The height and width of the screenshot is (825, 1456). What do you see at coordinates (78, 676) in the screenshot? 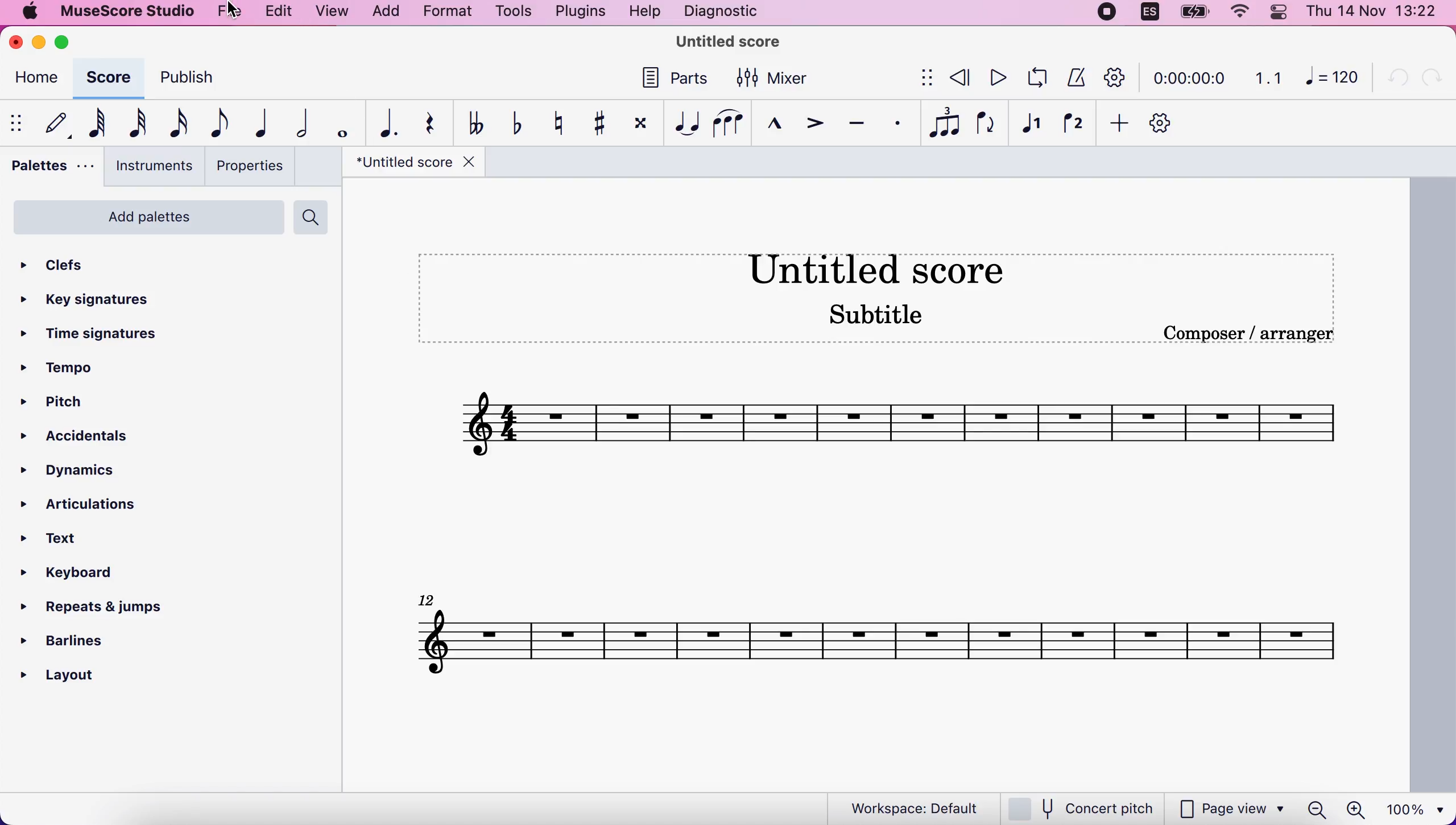
I see `layout` at bounding box center [78, 676].